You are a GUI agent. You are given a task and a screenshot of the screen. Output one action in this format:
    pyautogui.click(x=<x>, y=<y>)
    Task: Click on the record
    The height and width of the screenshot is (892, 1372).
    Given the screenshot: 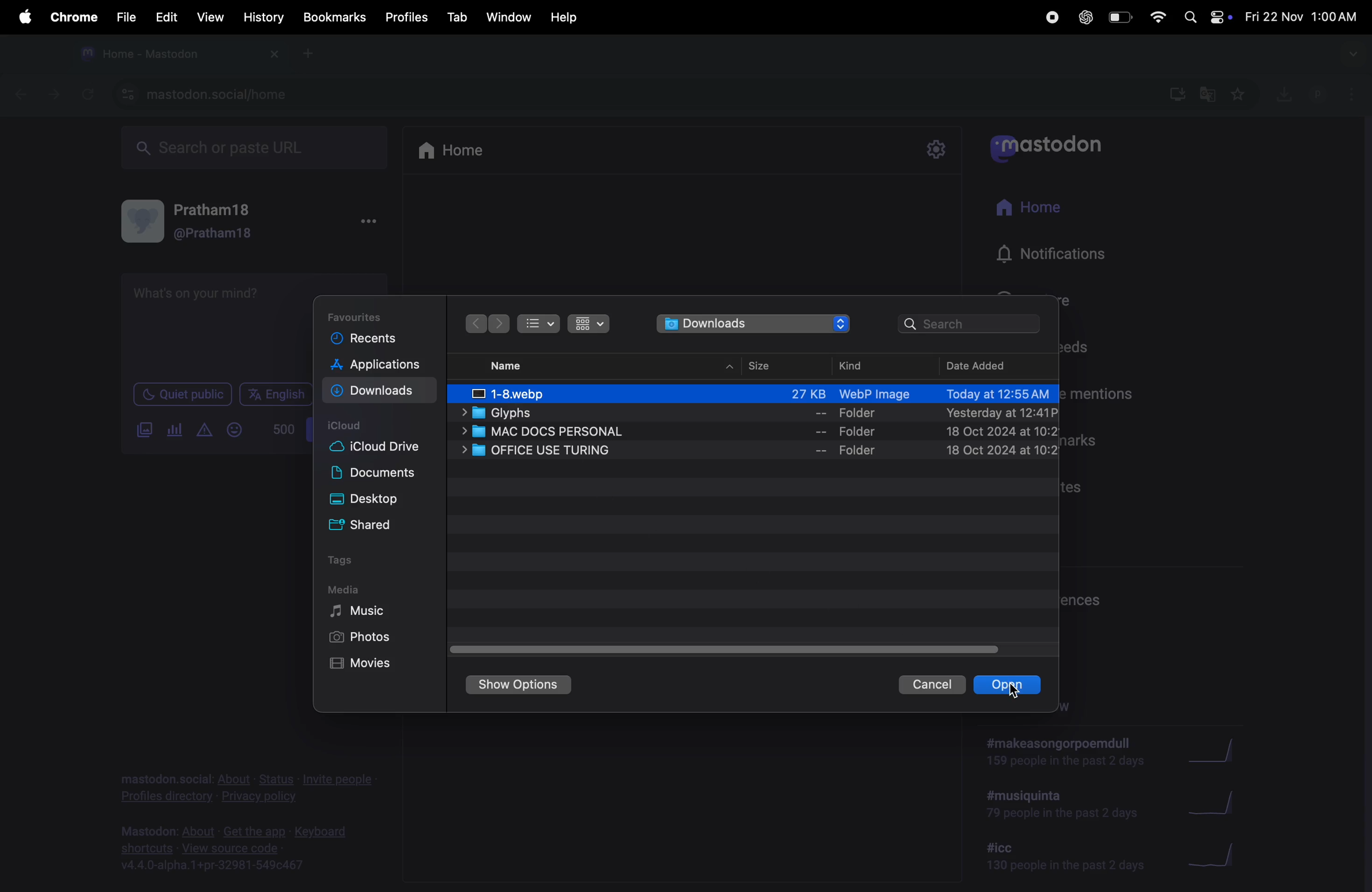 What is the action you would take?
    pyautogui.click(x=1054, y=18)
    